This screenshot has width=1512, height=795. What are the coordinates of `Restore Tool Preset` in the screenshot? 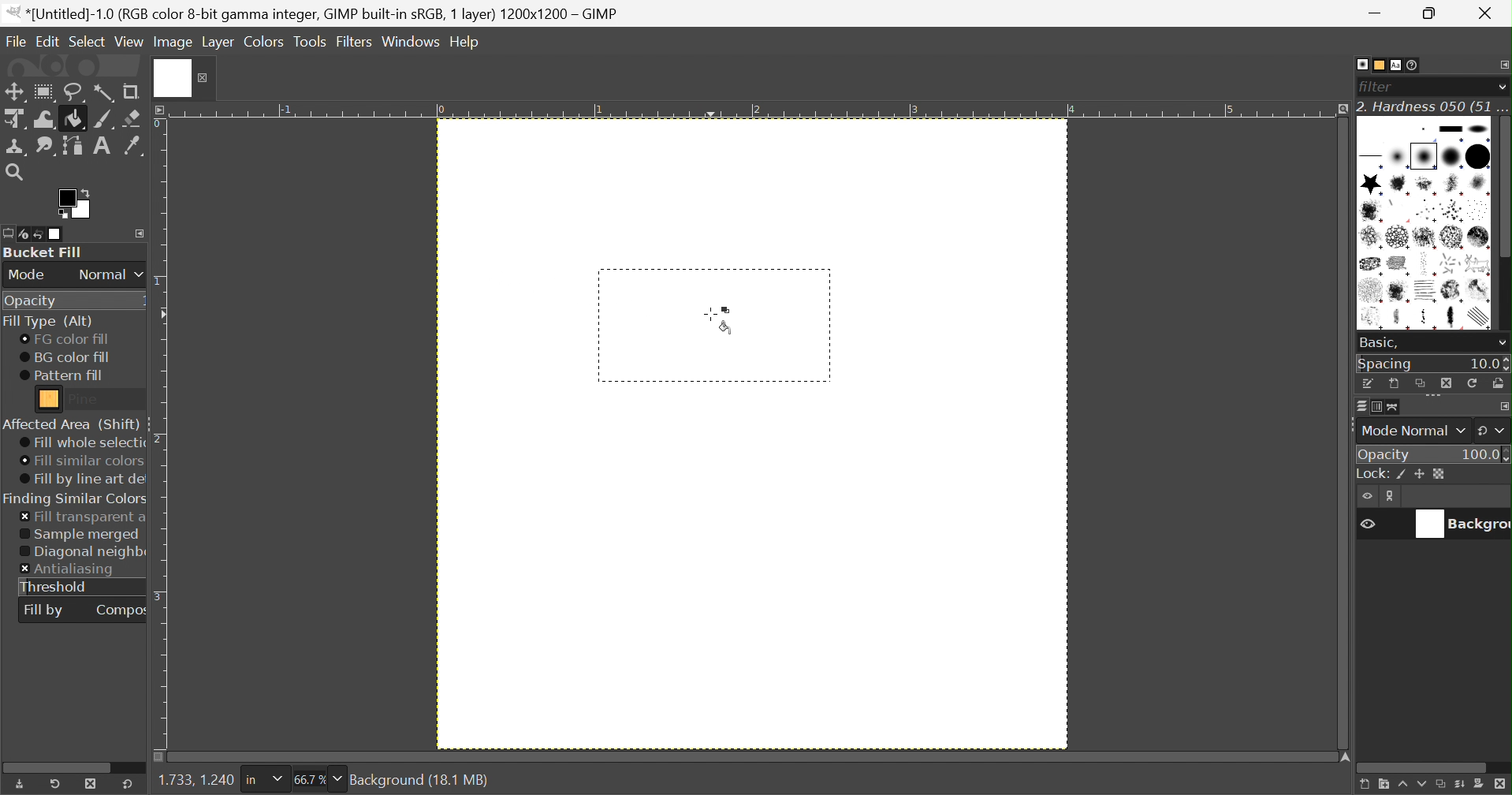 It's located at (54, 784).